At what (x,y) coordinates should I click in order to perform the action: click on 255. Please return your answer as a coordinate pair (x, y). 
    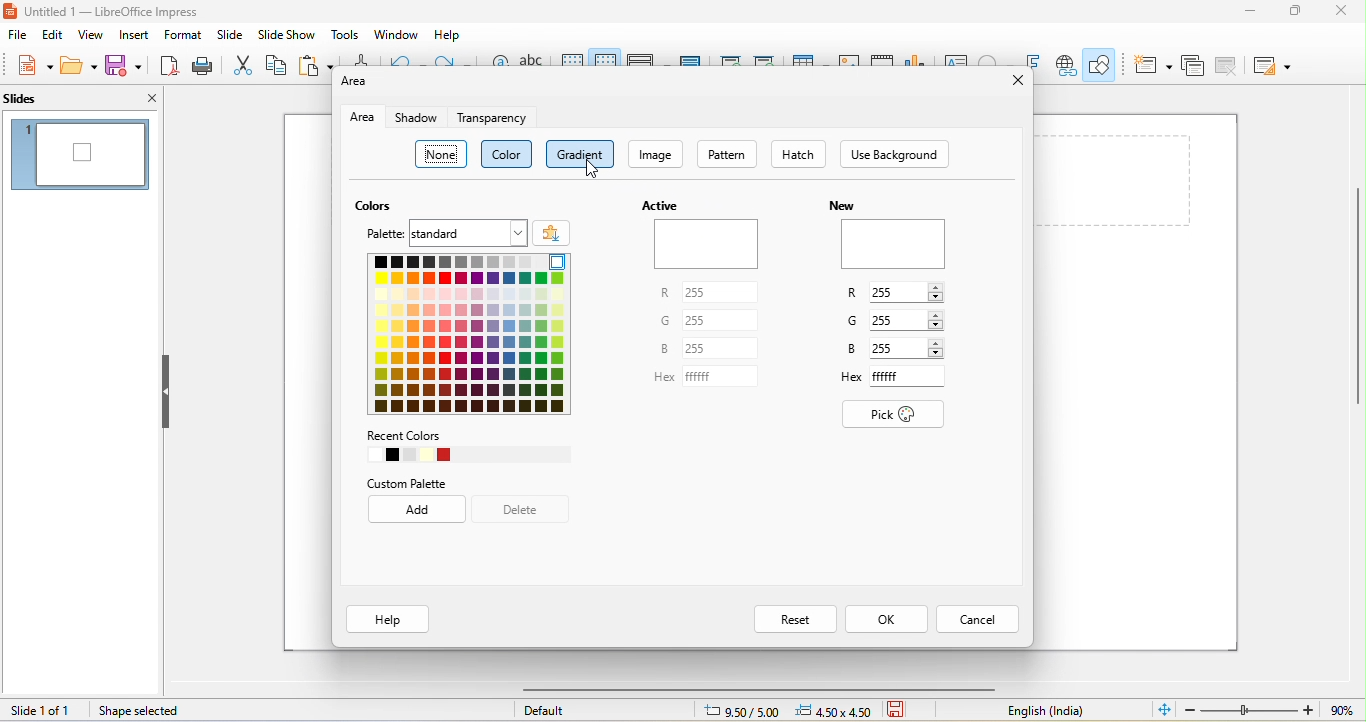
    Looking at the image, I should click on (897, 347).